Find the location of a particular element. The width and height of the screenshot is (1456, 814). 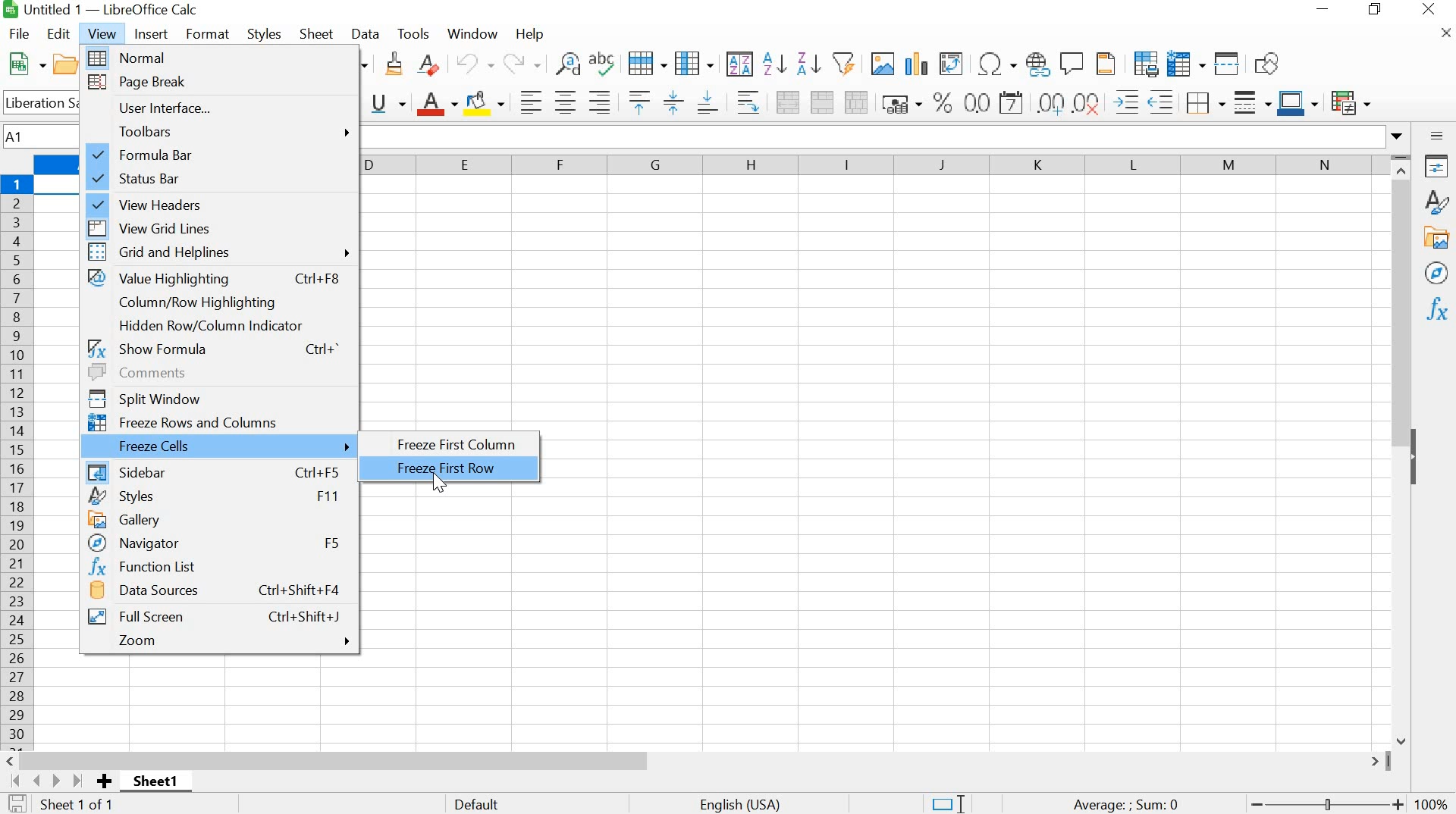

WRAP TEXT is located at coordinates (745, 102).